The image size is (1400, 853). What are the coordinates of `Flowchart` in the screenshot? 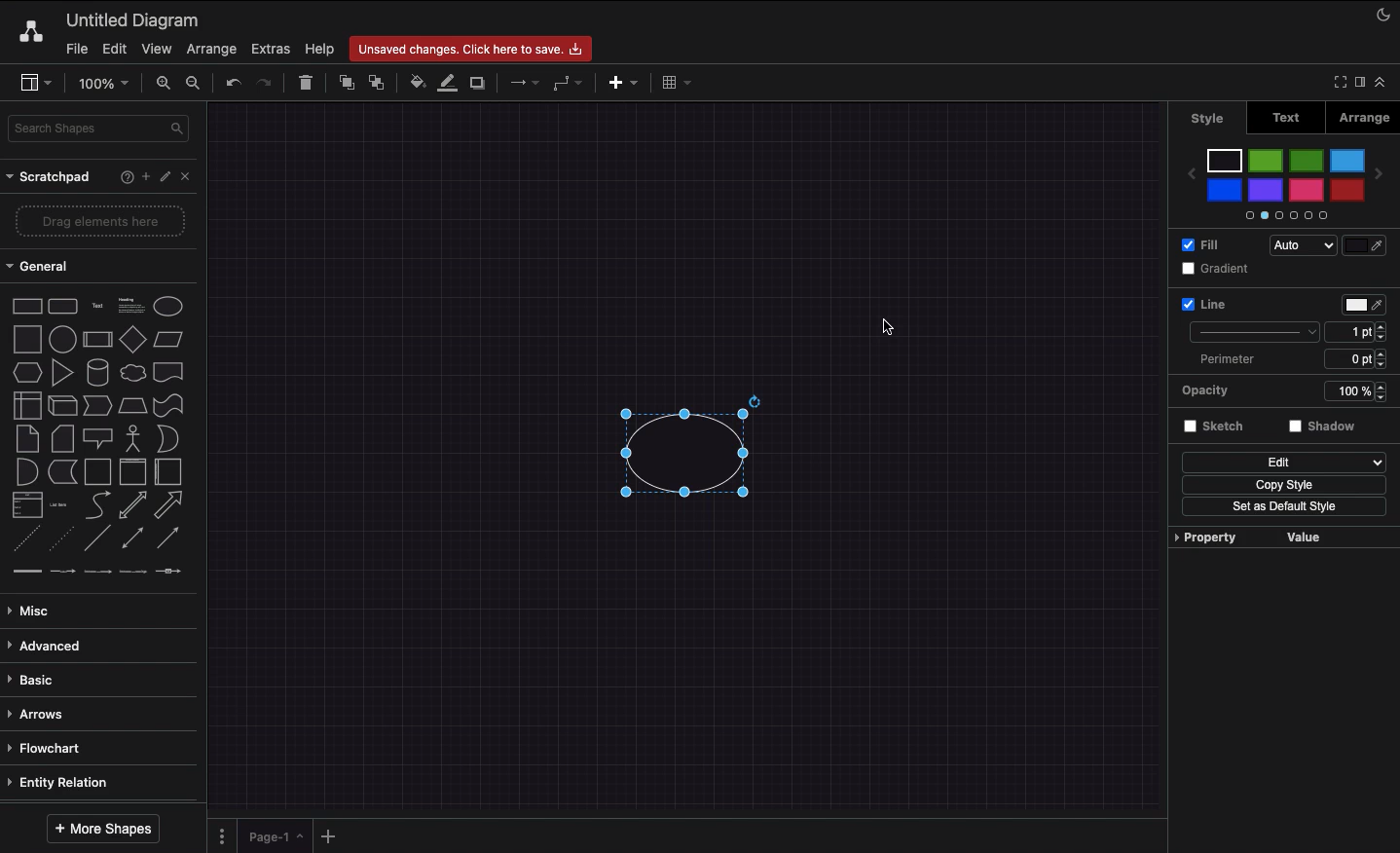 It's located at (48, 748).